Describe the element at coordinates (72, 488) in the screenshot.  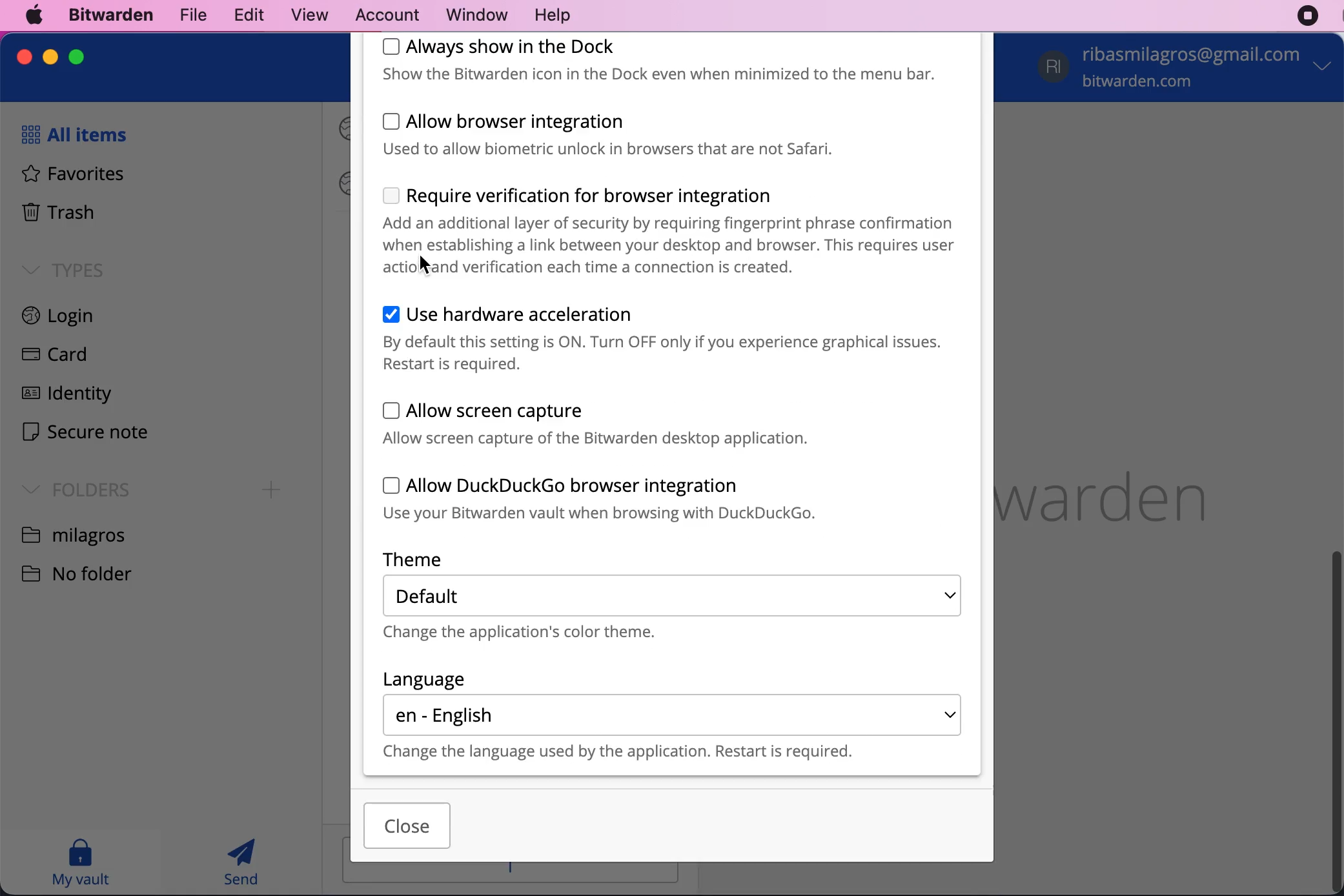
I see `folders` at that location.